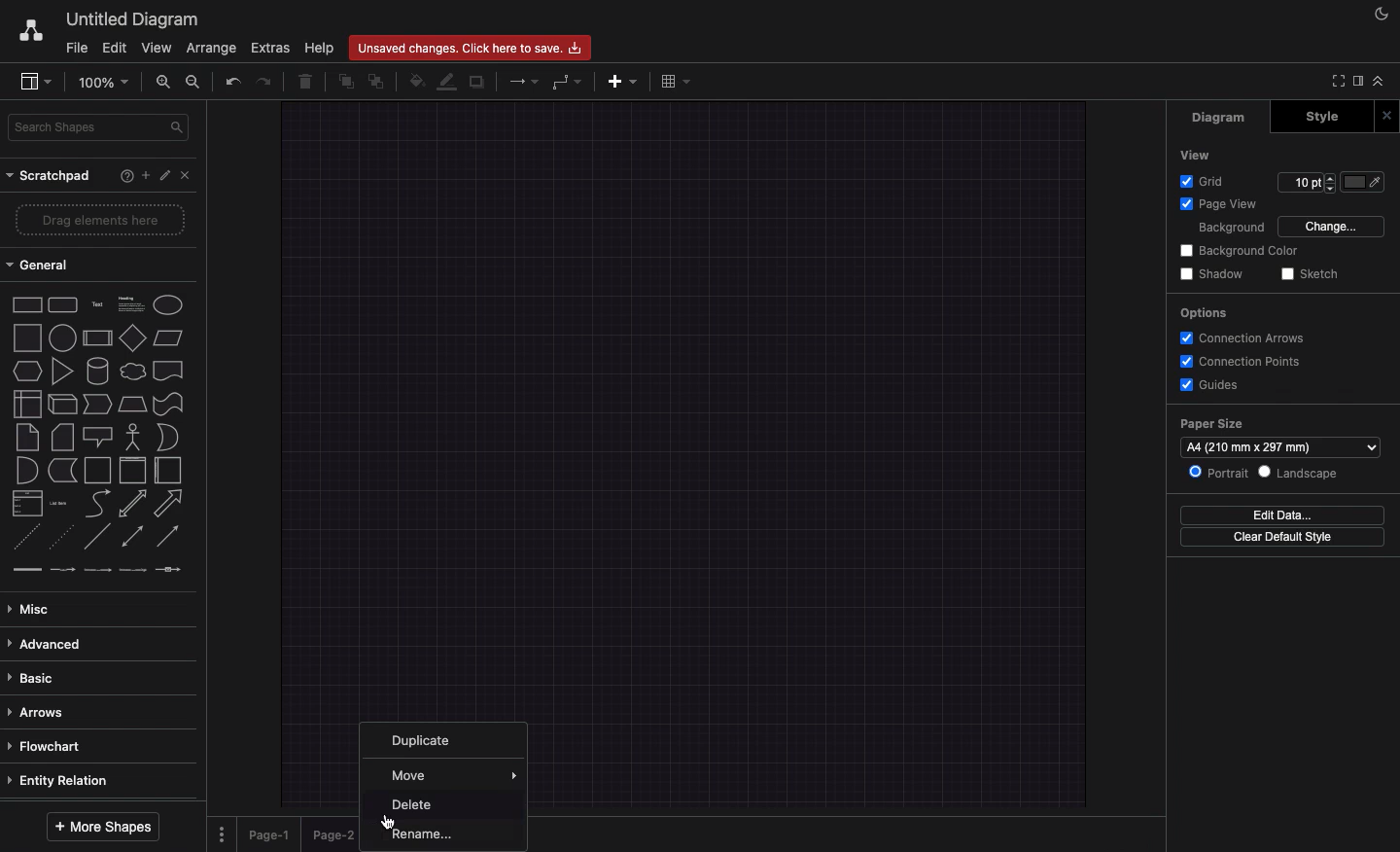 The height and width of the screenshot is (852, 1400). What do you see at coordinates (223, 834) in the screenshot?
I see `Options` at bounding box center [223, 834].